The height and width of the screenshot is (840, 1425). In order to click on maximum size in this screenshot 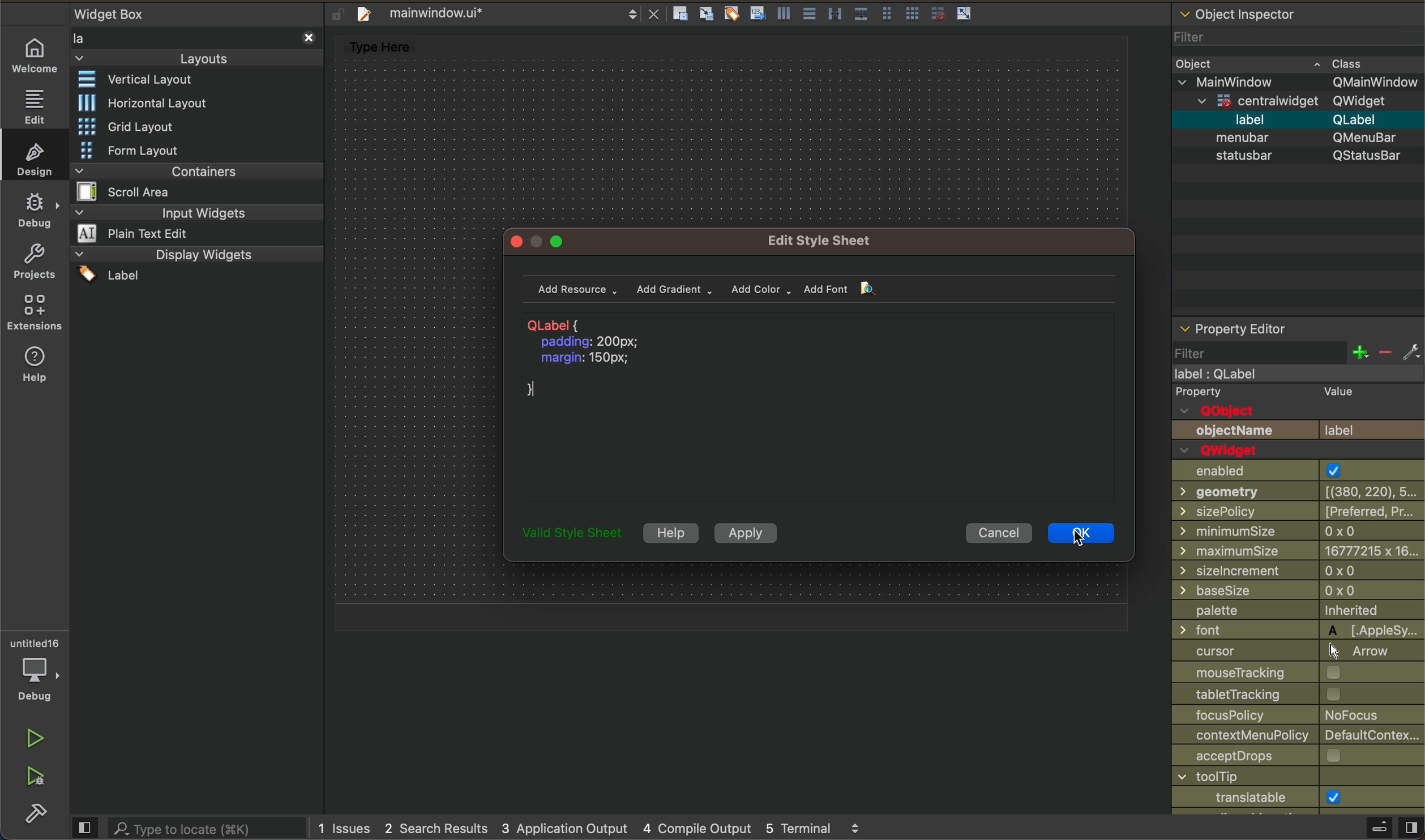, I will do `click(1297, 552)`.